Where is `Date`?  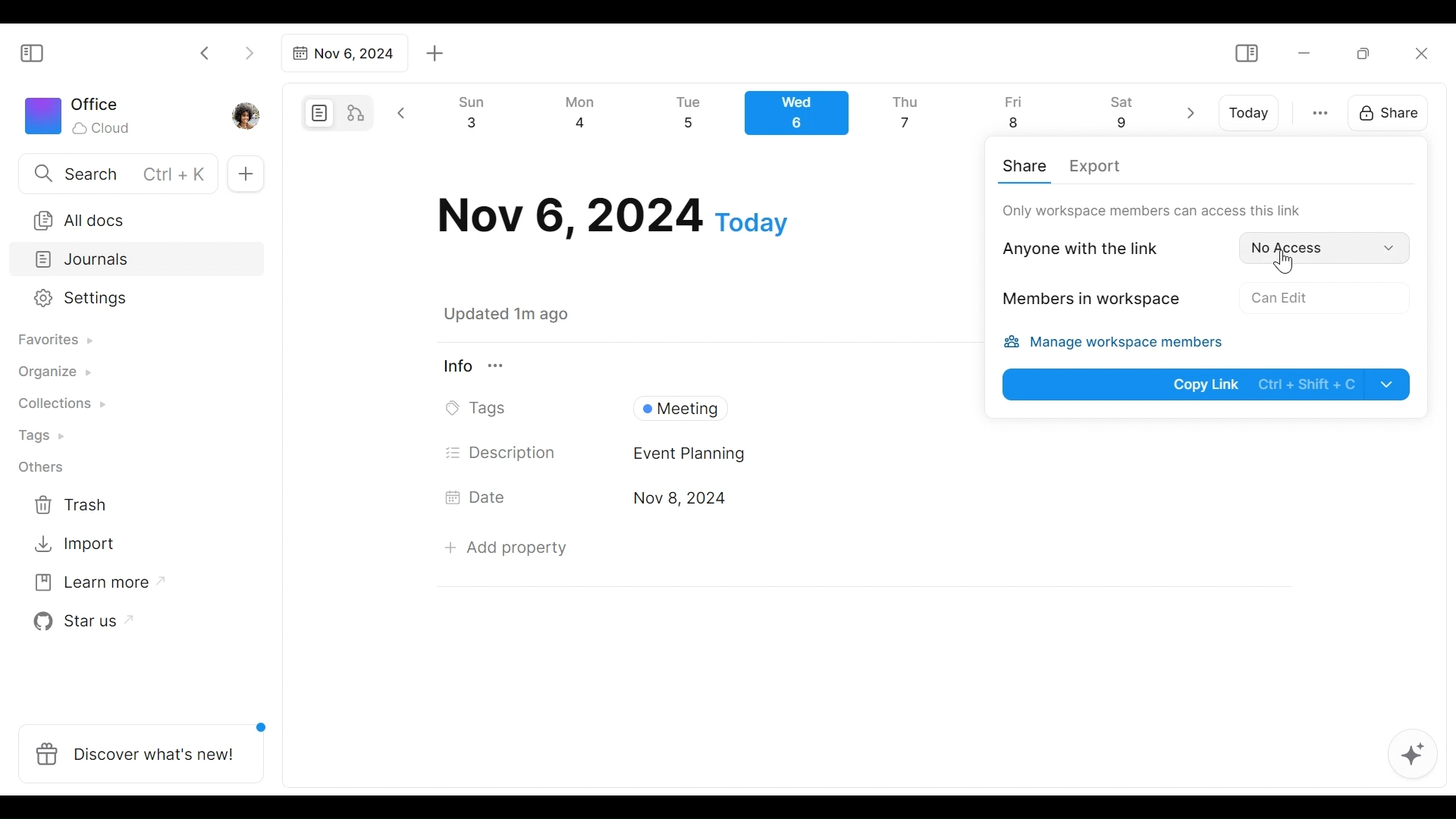 Date is located at coordinates (613, 216).